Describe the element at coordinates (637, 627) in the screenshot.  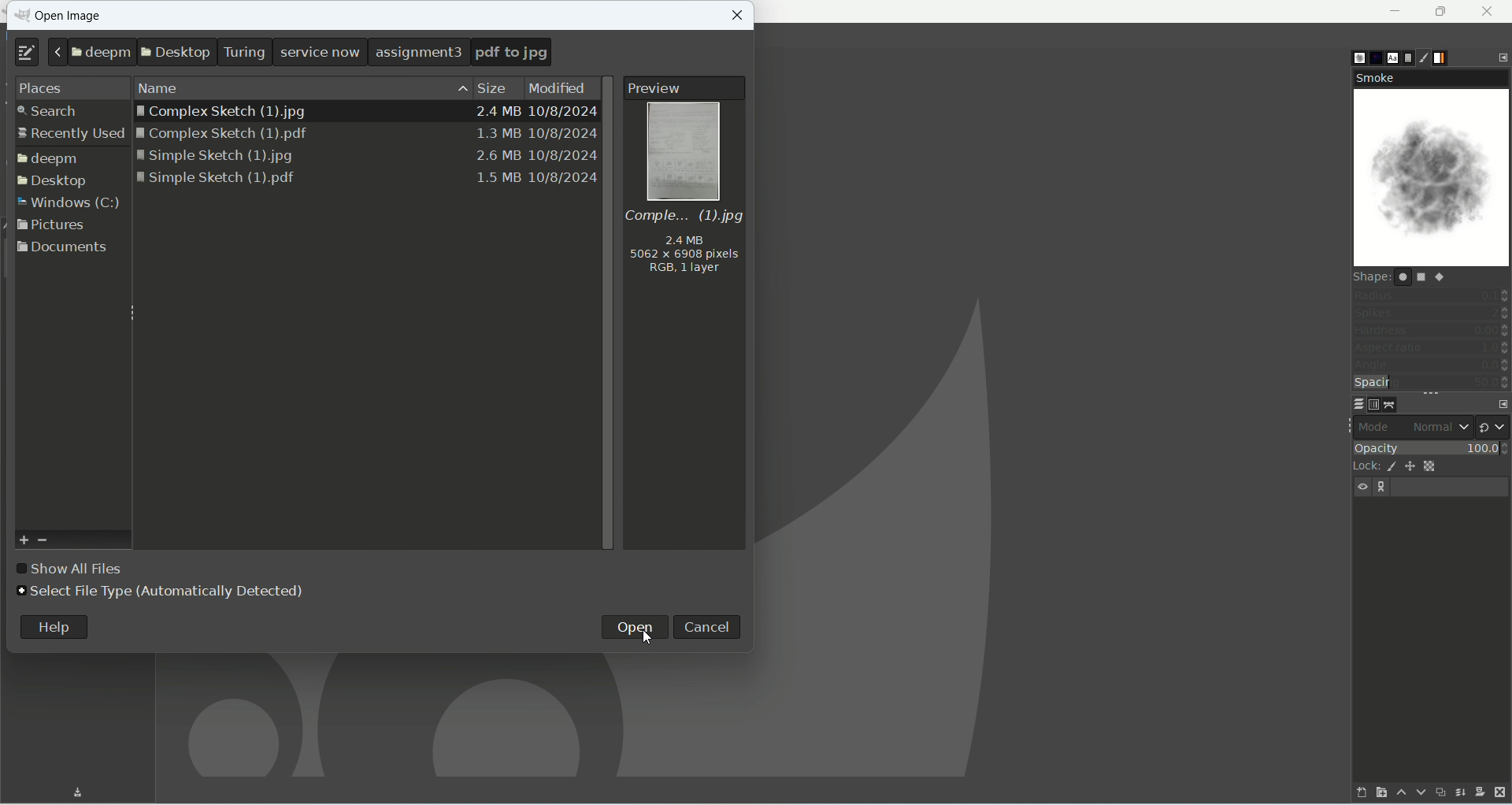
I see `open` at that location.